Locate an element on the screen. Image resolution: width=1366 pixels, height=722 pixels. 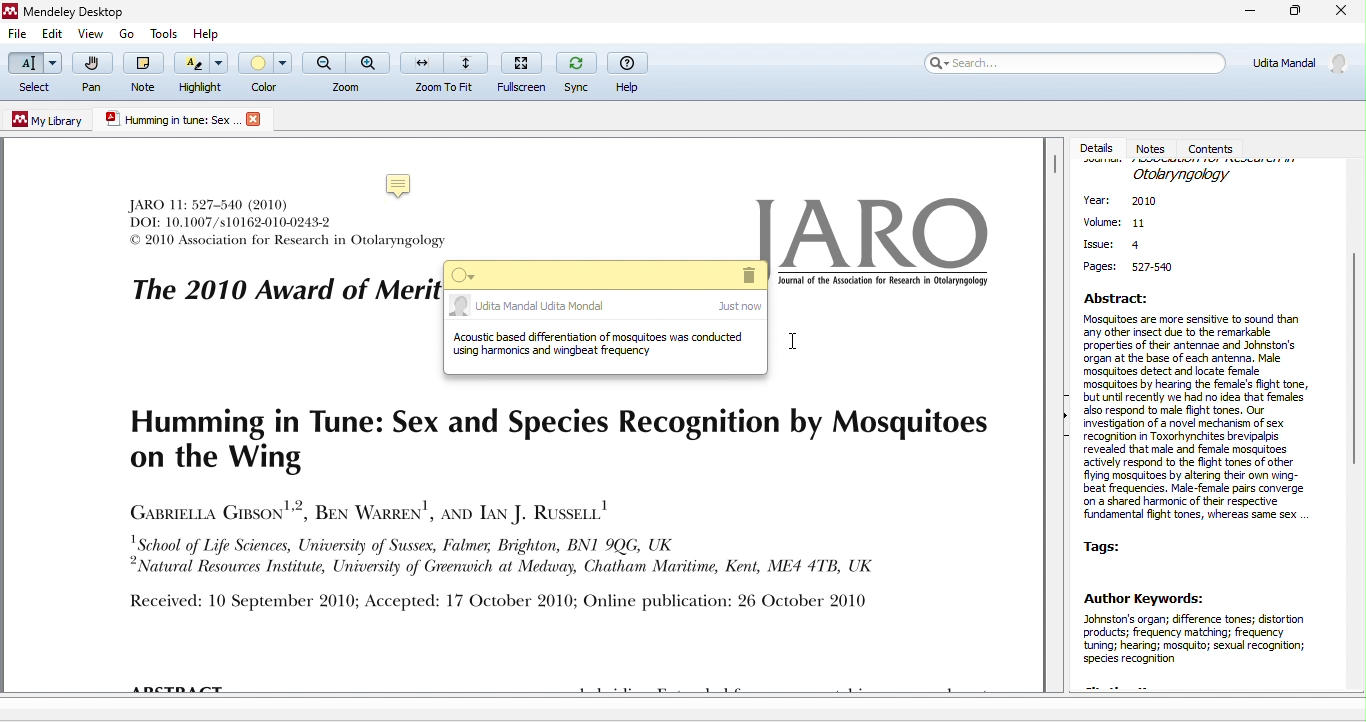
volume:11 is located at coordinates (1115, 224).